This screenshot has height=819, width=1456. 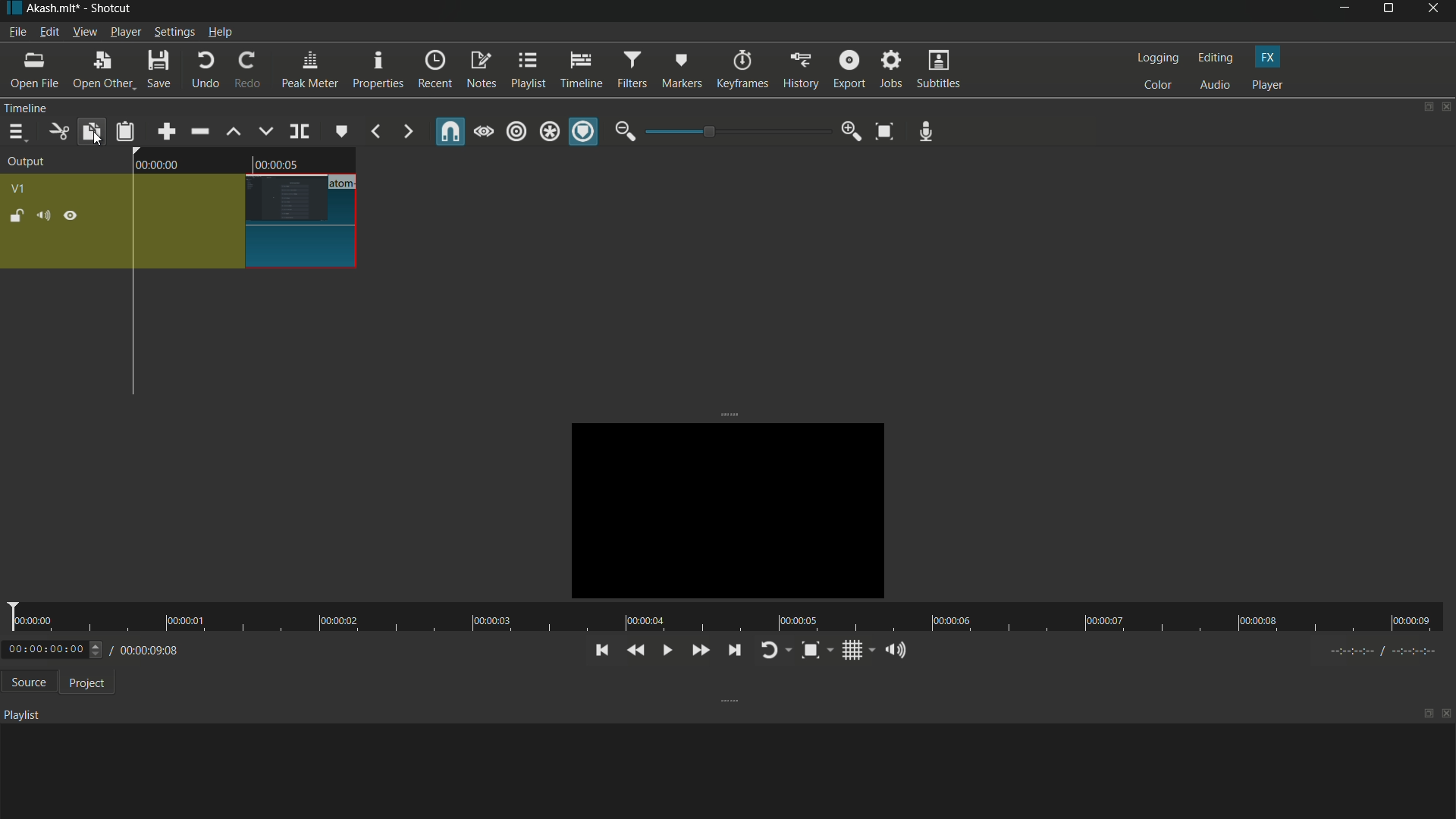 What do you see at coordinates (83, 32) in the screenshot?
I see `view menu` at bounding box center [83, 32].